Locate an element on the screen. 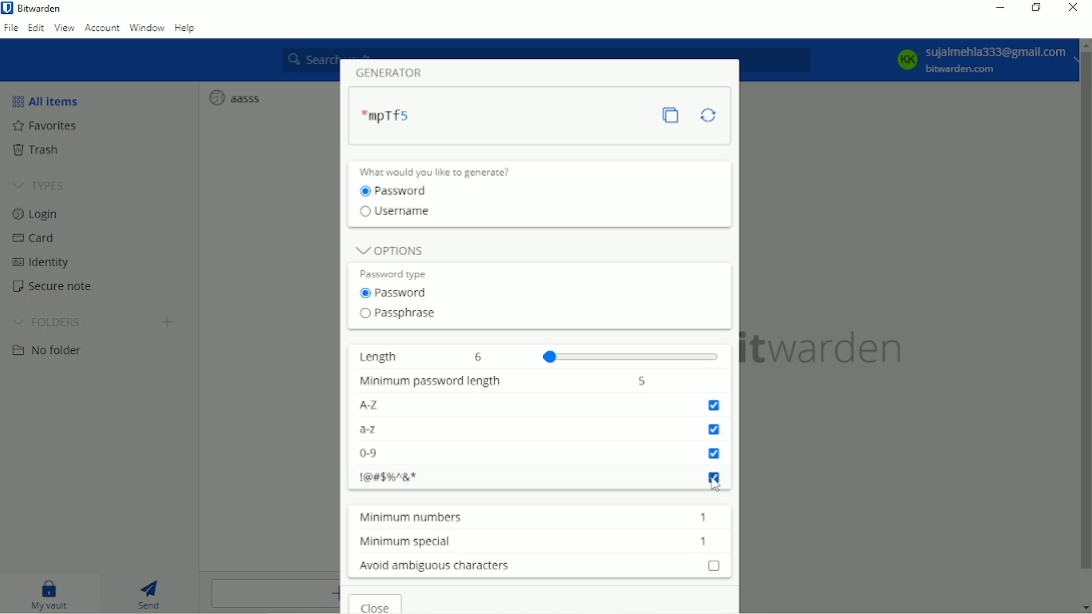 This screenshot has width=1092, height=614. Generator is located at coordinates (398, 72).